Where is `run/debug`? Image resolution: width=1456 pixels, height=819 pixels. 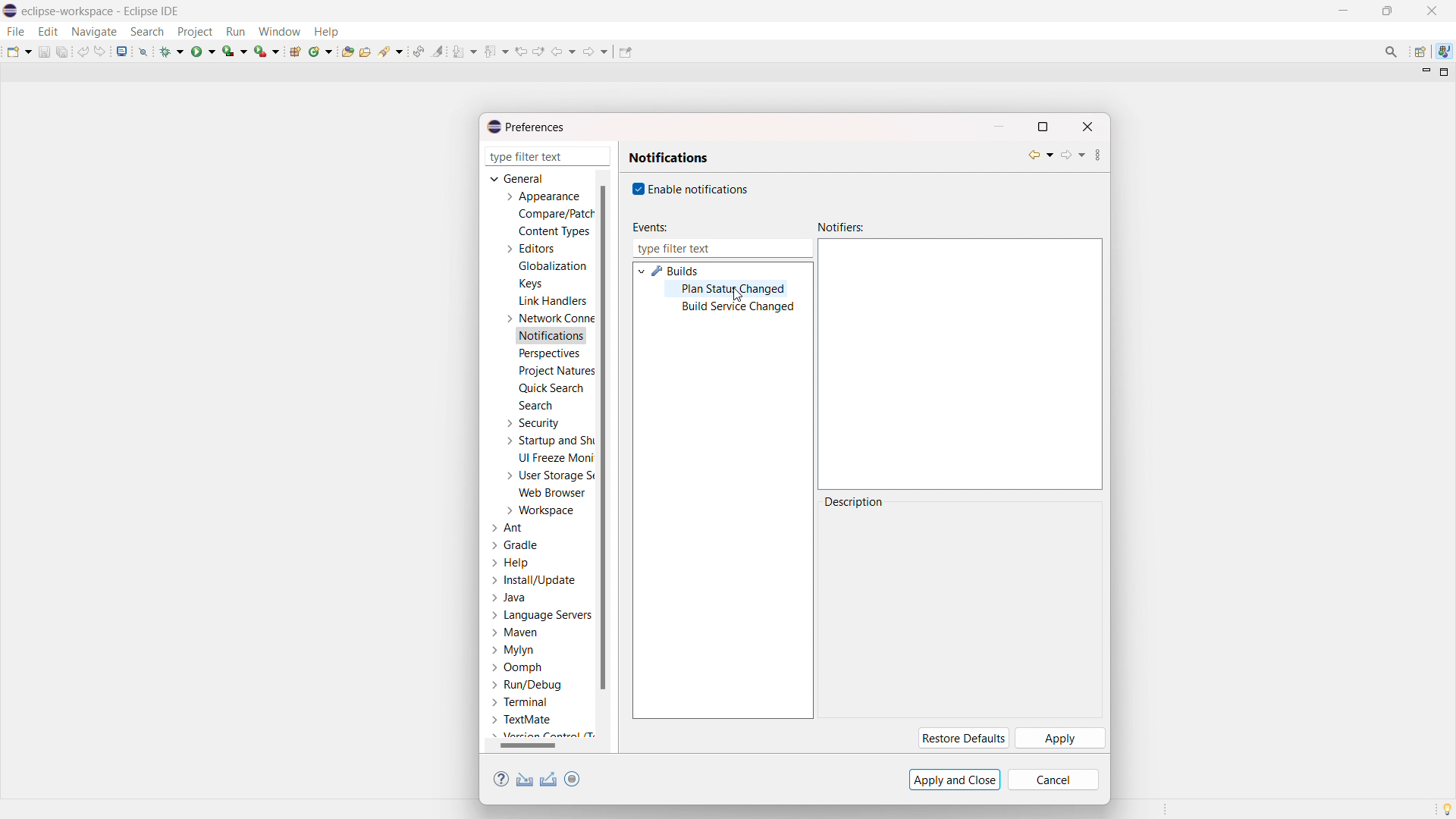 run/debug is located at coordinates (526, 684).